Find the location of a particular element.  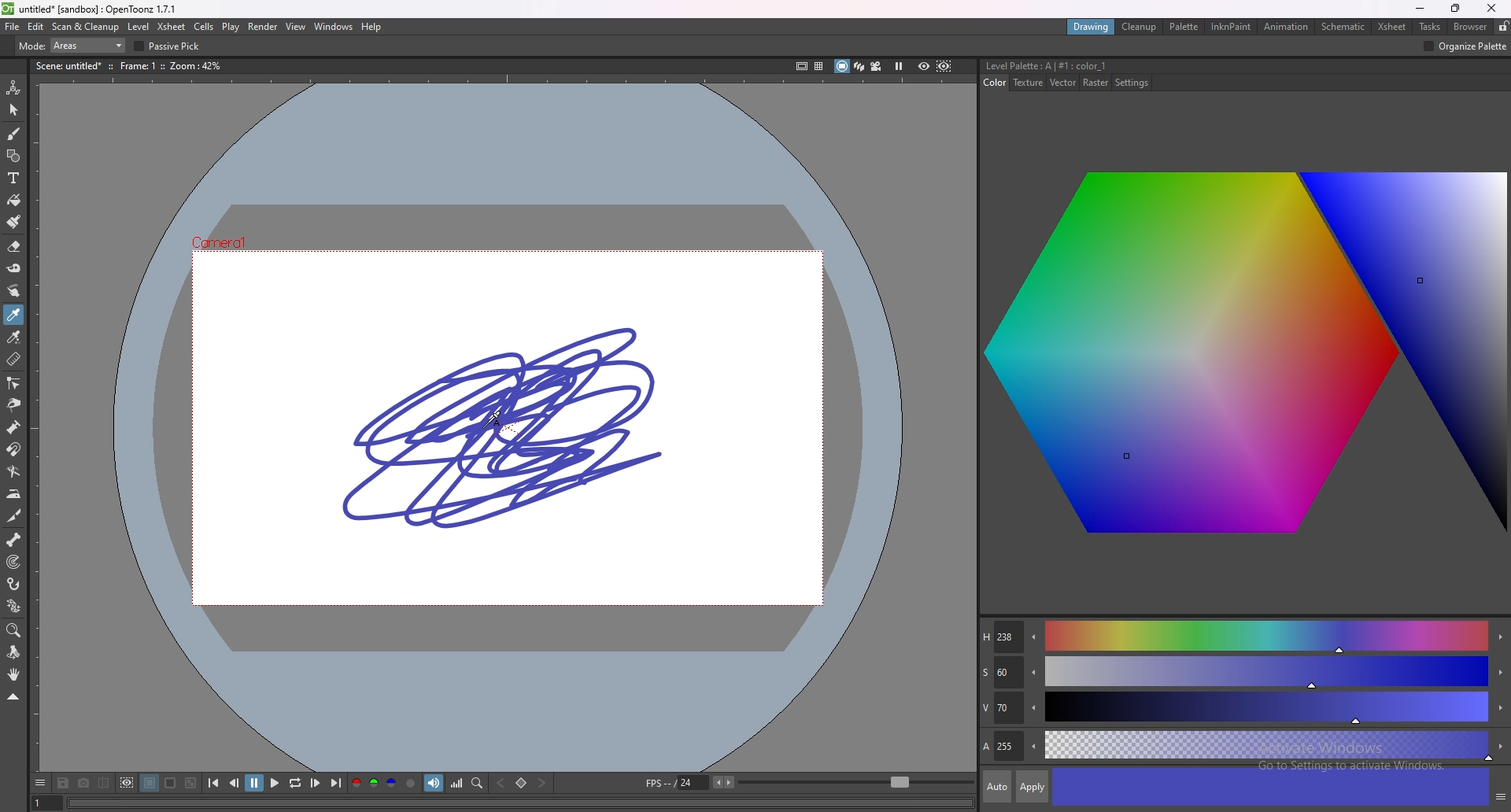

saturation is located at coordinates (1243, 673).